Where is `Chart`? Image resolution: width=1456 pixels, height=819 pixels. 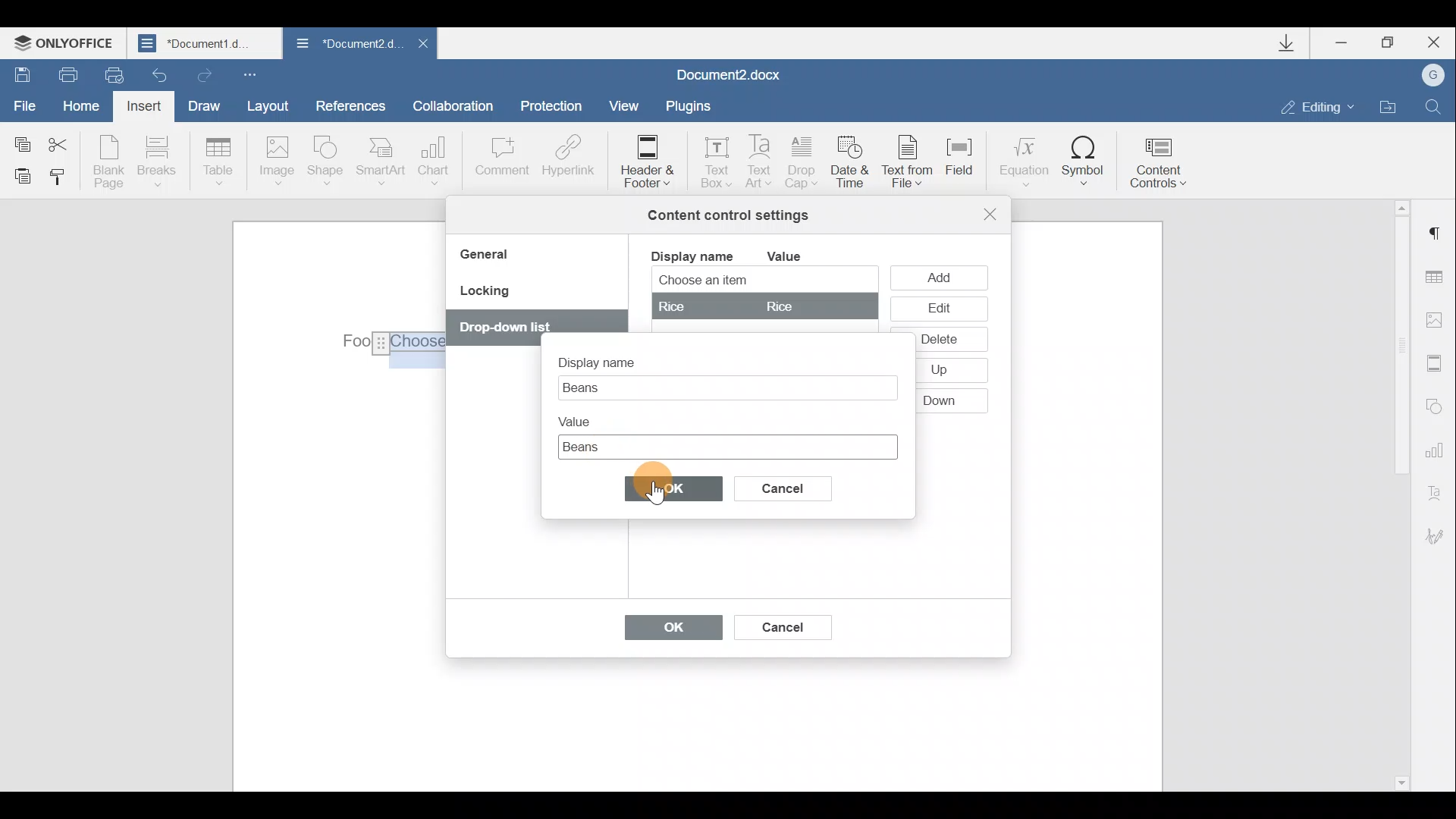 Chart is located at coordinates (437, 161).